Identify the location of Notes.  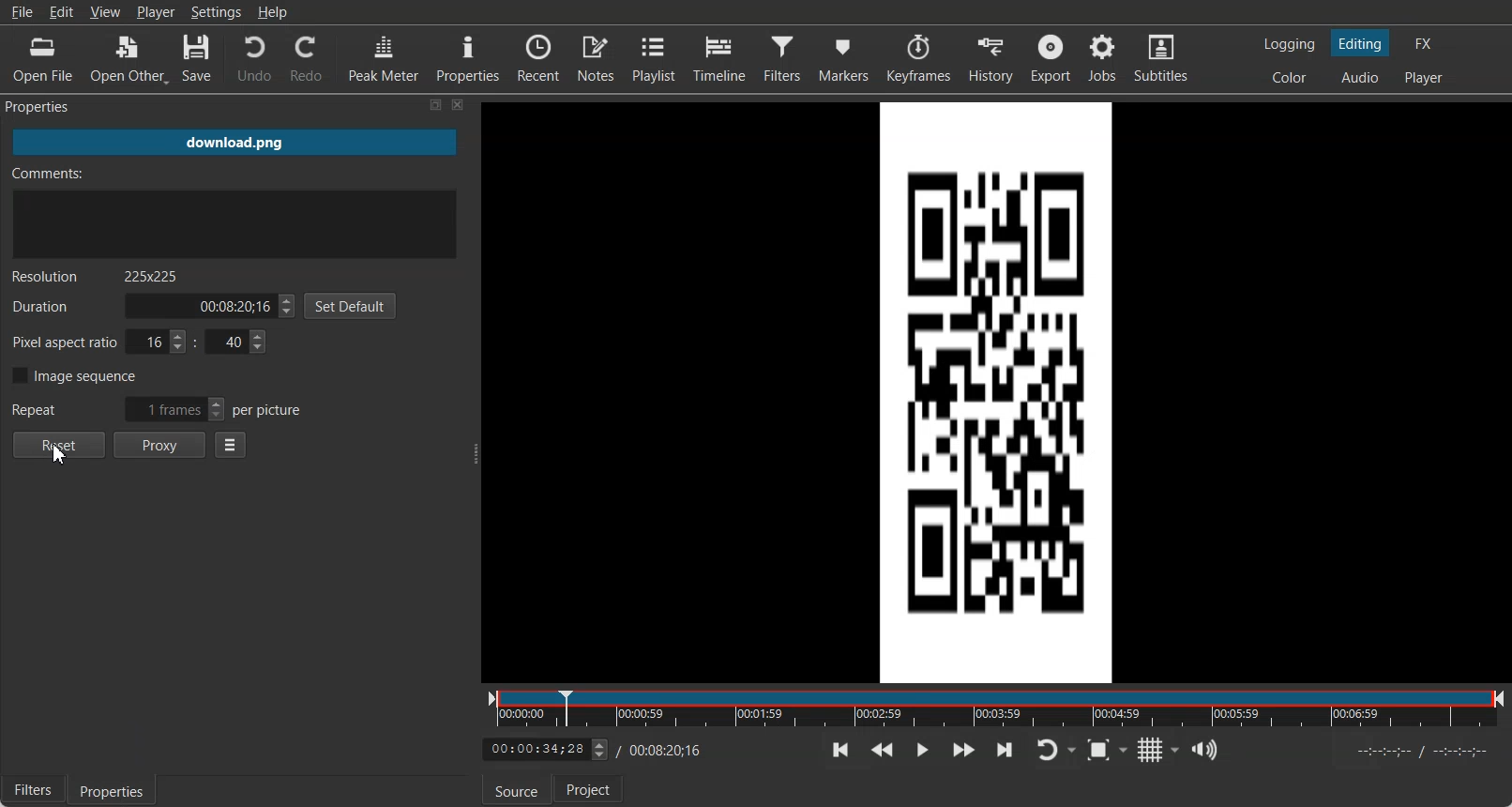
(596, 57).